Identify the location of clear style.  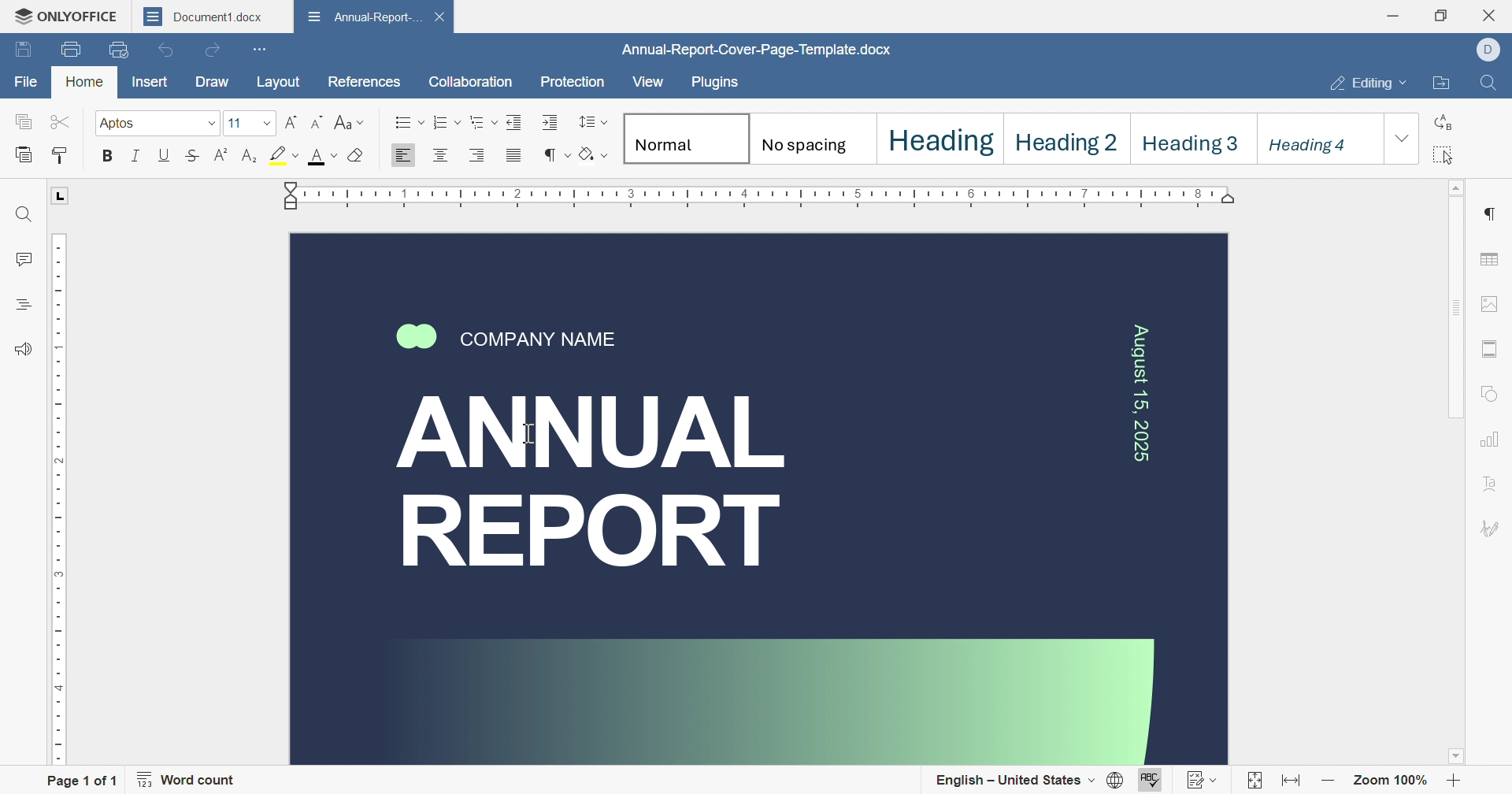
(357, 156).